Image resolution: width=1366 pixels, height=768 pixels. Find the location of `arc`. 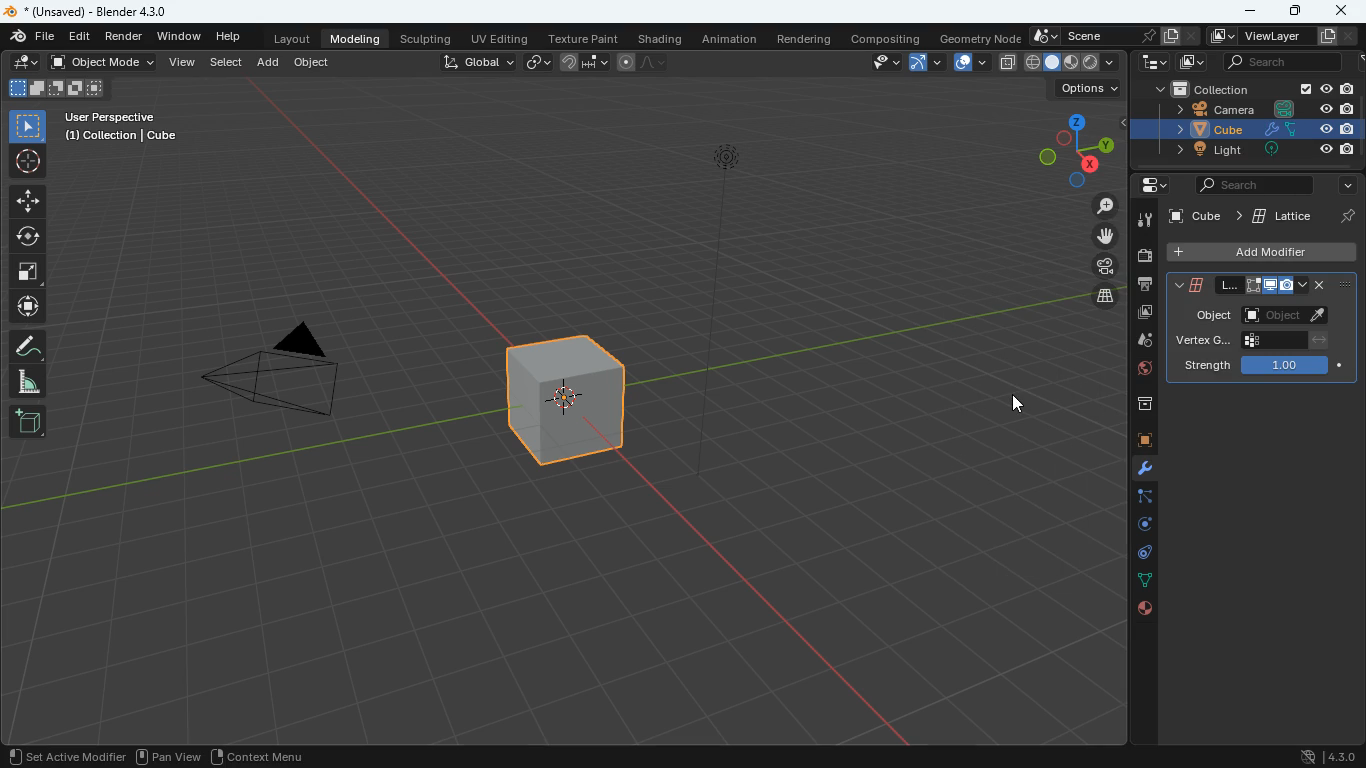

arc is located at coordinates (925, 65).